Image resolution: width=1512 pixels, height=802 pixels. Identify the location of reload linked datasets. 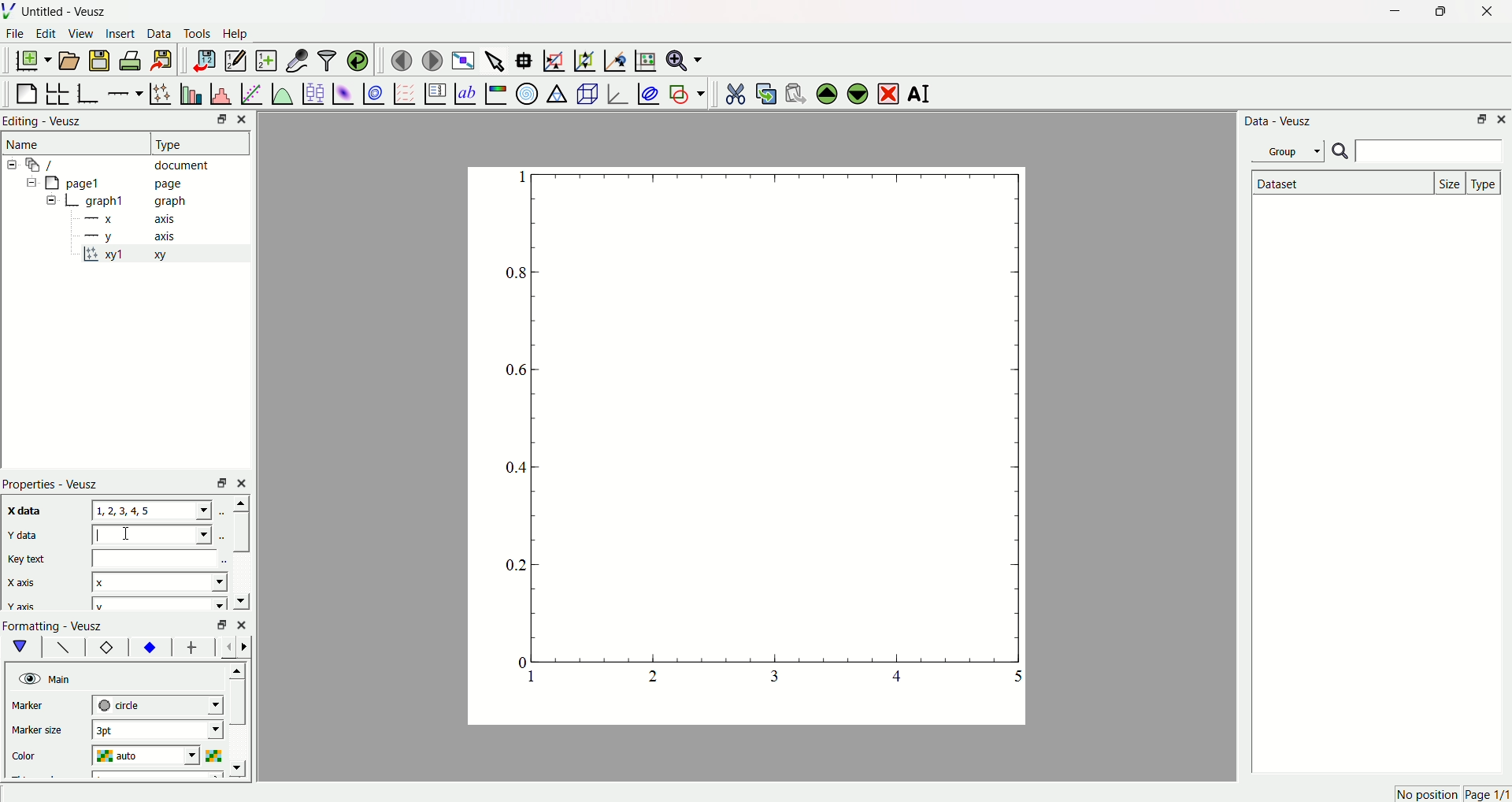
(358, 58).